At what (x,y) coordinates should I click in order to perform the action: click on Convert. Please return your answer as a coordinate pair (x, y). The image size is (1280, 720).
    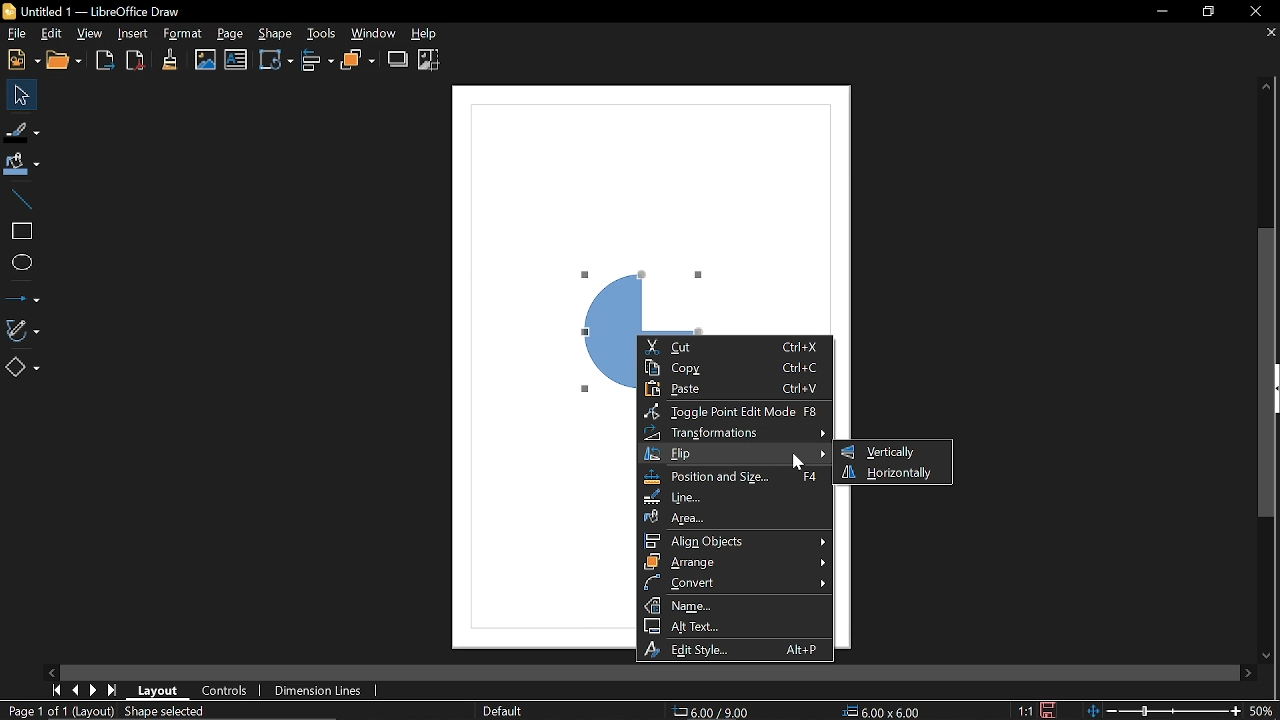
    Looking at the image, I should click on (738, 582).